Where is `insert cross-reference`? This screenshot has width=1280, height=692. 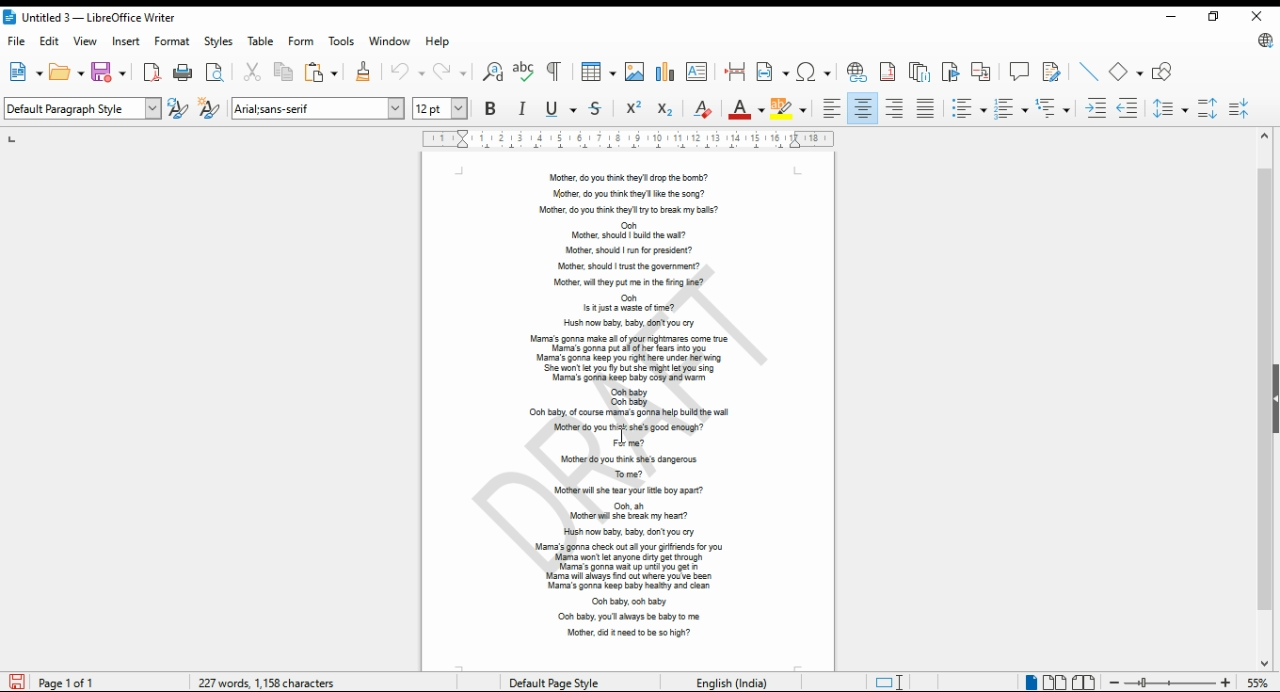
insert cross-reference is located at coordinates (981, 72).